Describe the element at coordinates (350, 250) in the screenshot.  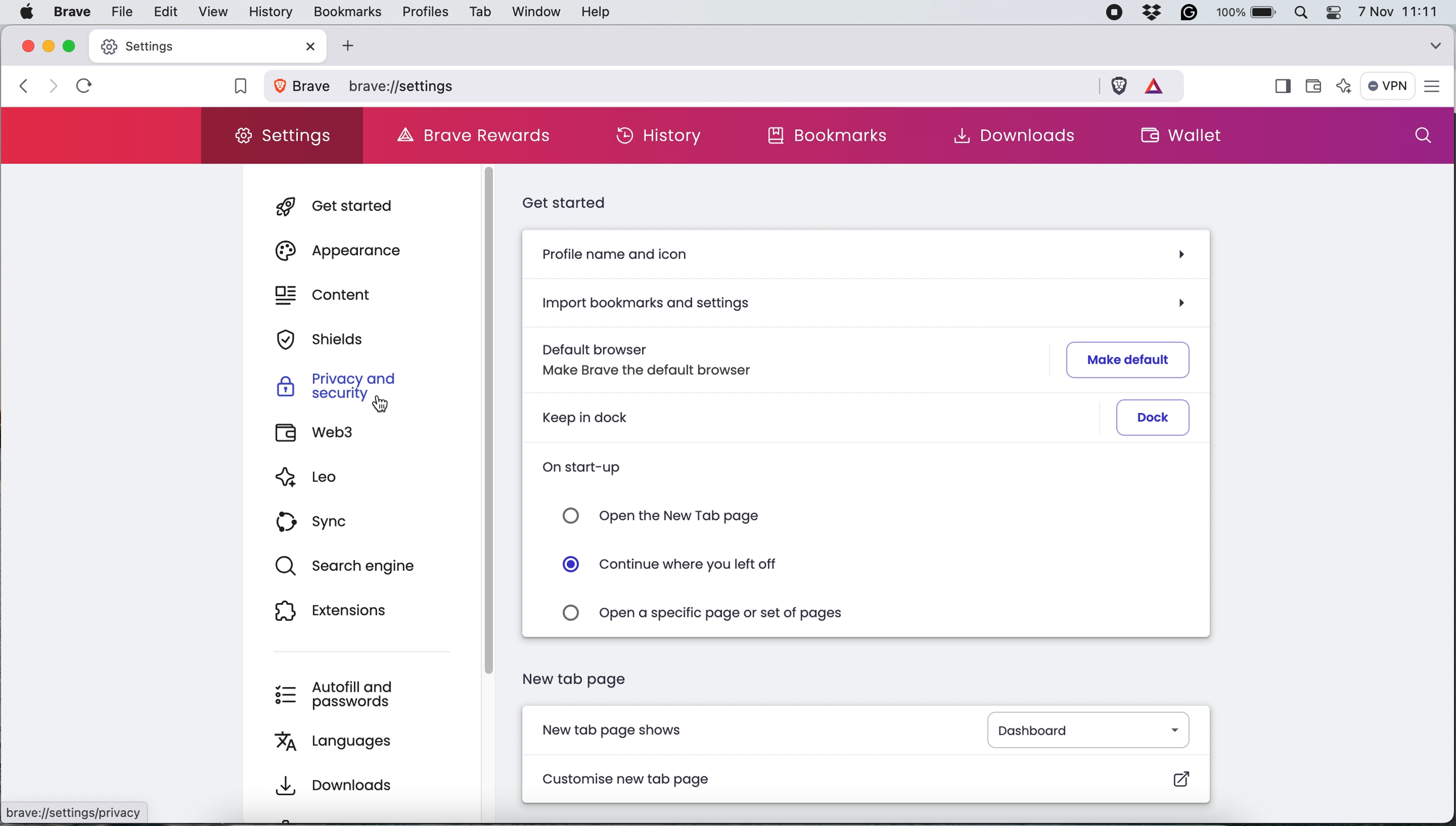
I see `appearance` at that location.